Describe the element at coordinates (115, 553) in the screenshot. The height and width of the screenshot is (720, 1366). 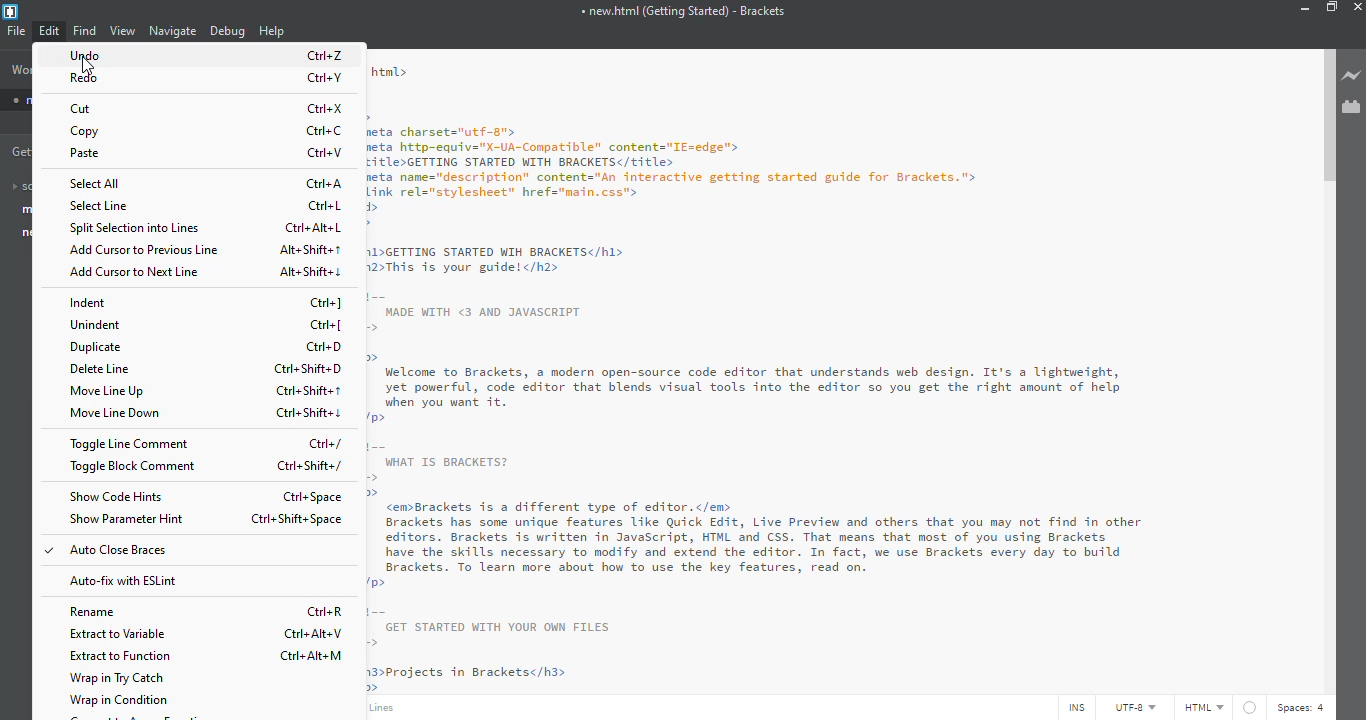
I see `auto close braces` at that location.